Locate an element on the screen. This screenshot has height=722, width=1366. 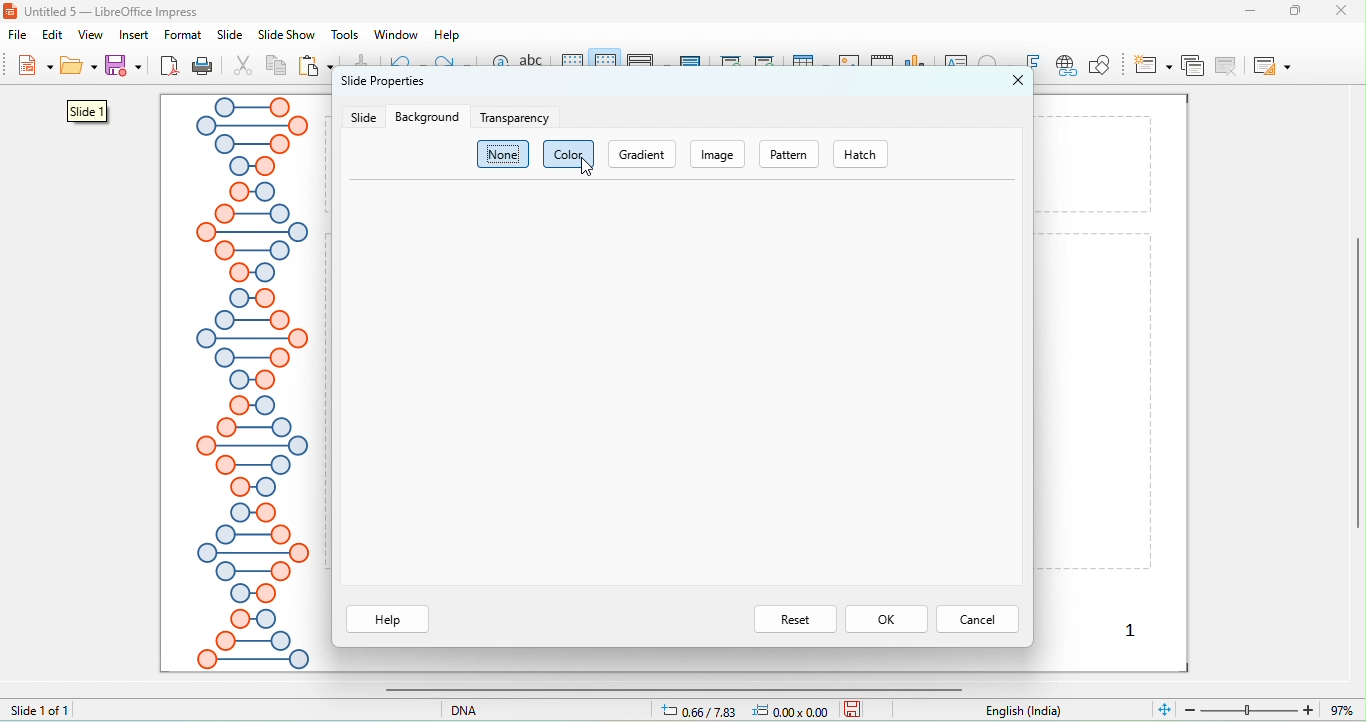
media is located at coordinates (883, 63).